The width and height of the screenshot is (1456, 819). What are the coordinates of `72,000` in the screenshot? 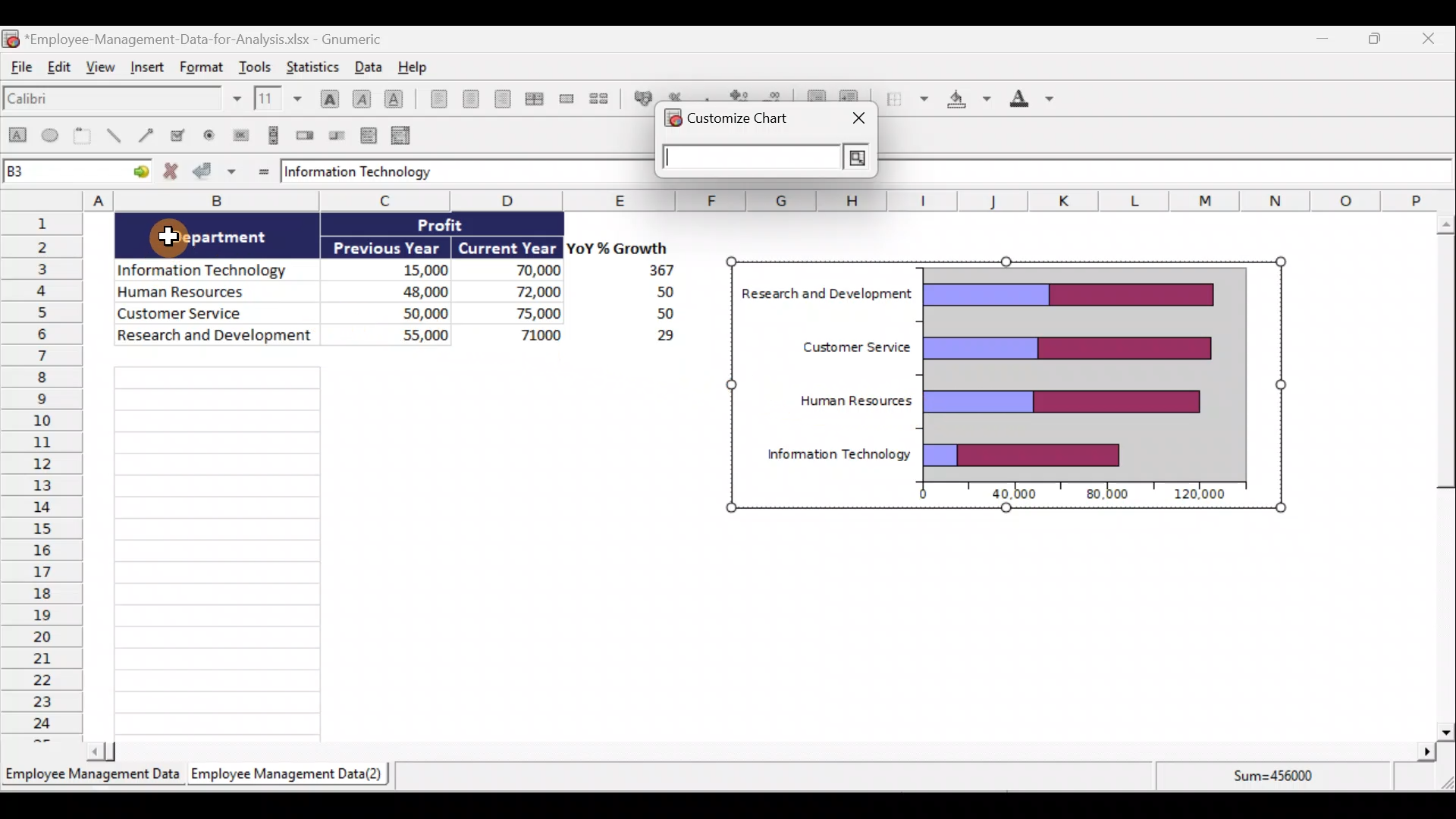 It's located at (525, 293).